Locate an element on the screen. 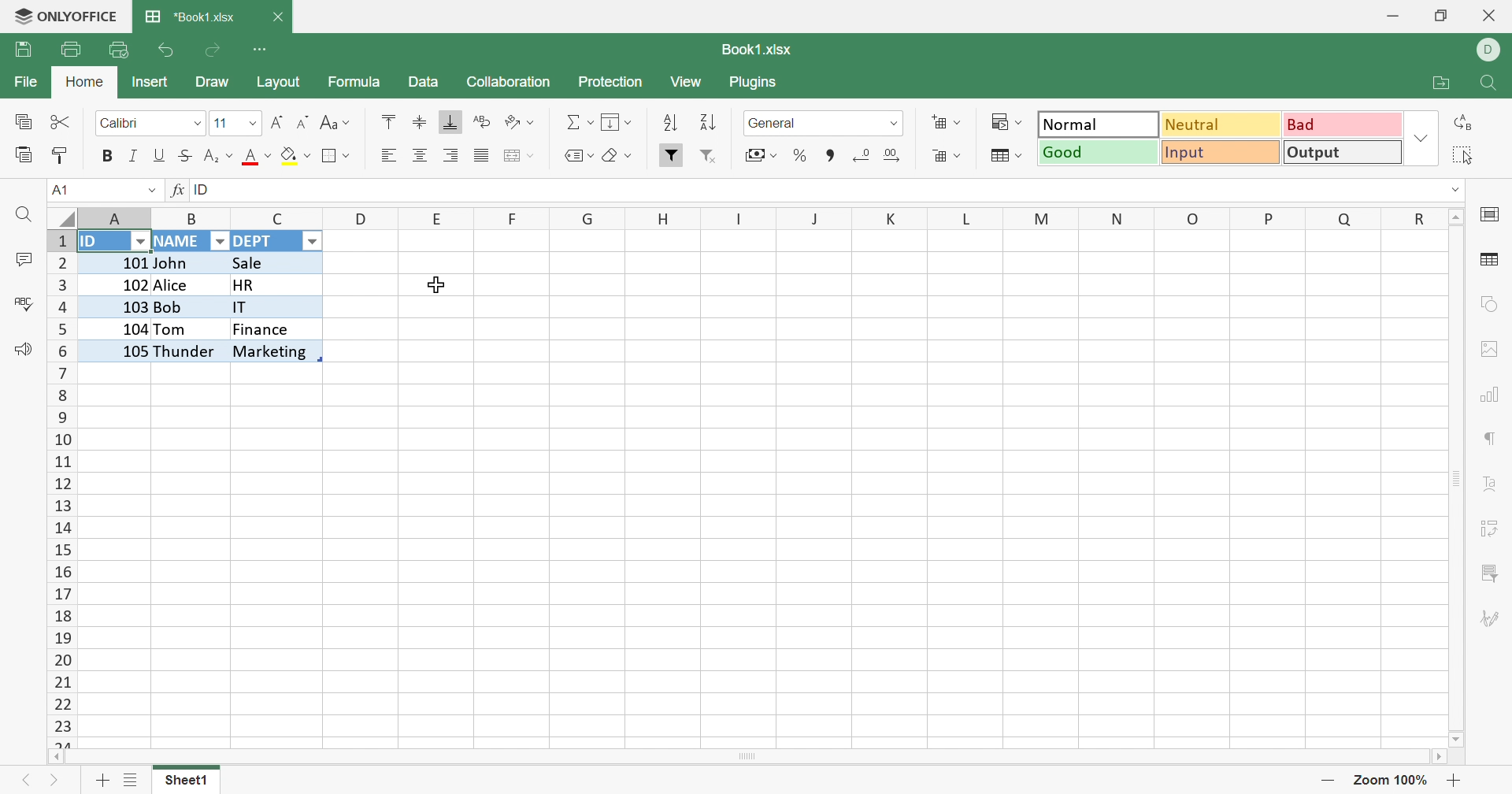  ID is located at coordinates (94, 242).